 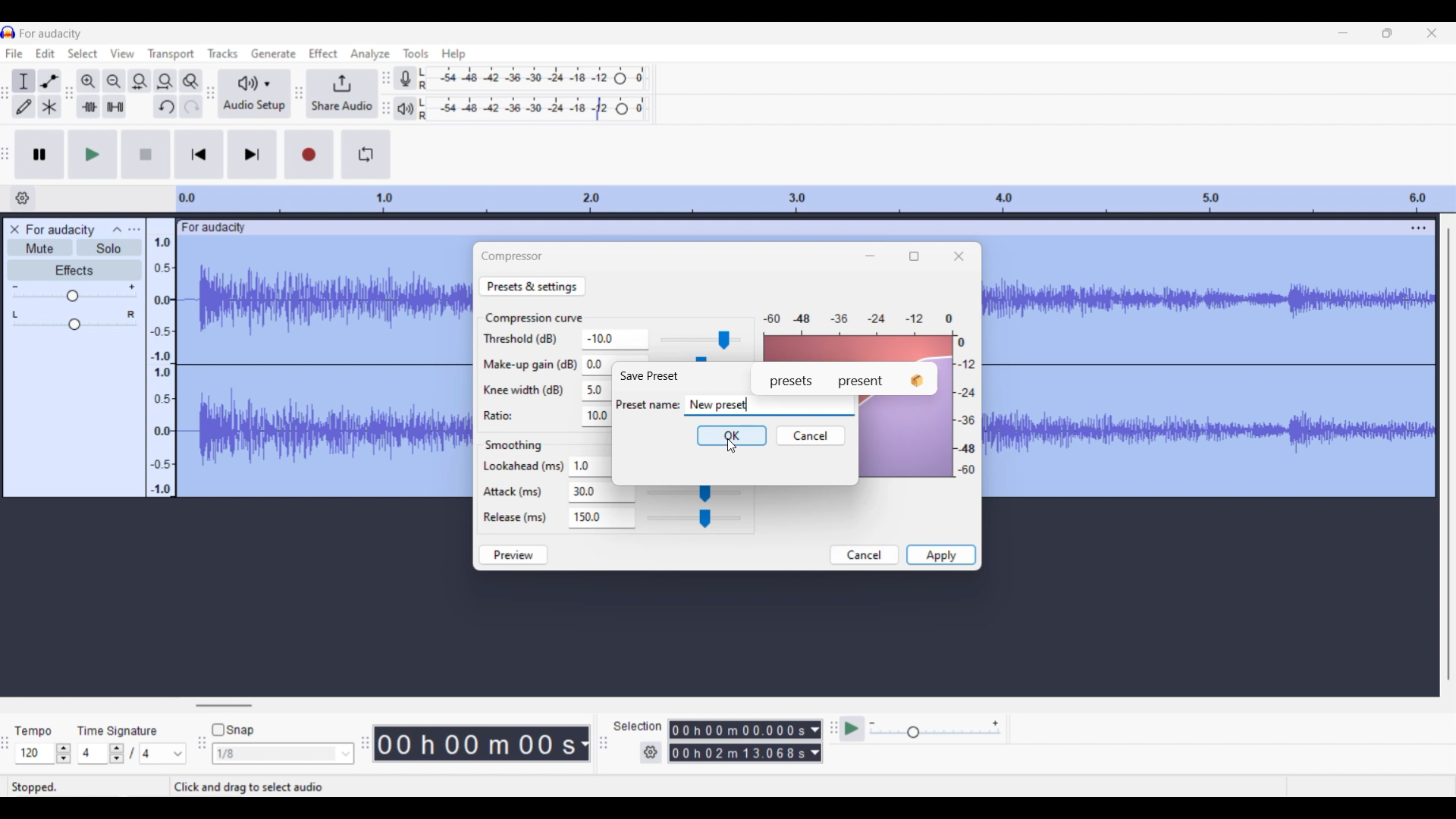 What do you see at coordinates (222, 53) in the screenshot?
I see `Tracks` at bounding box center [222, 53].